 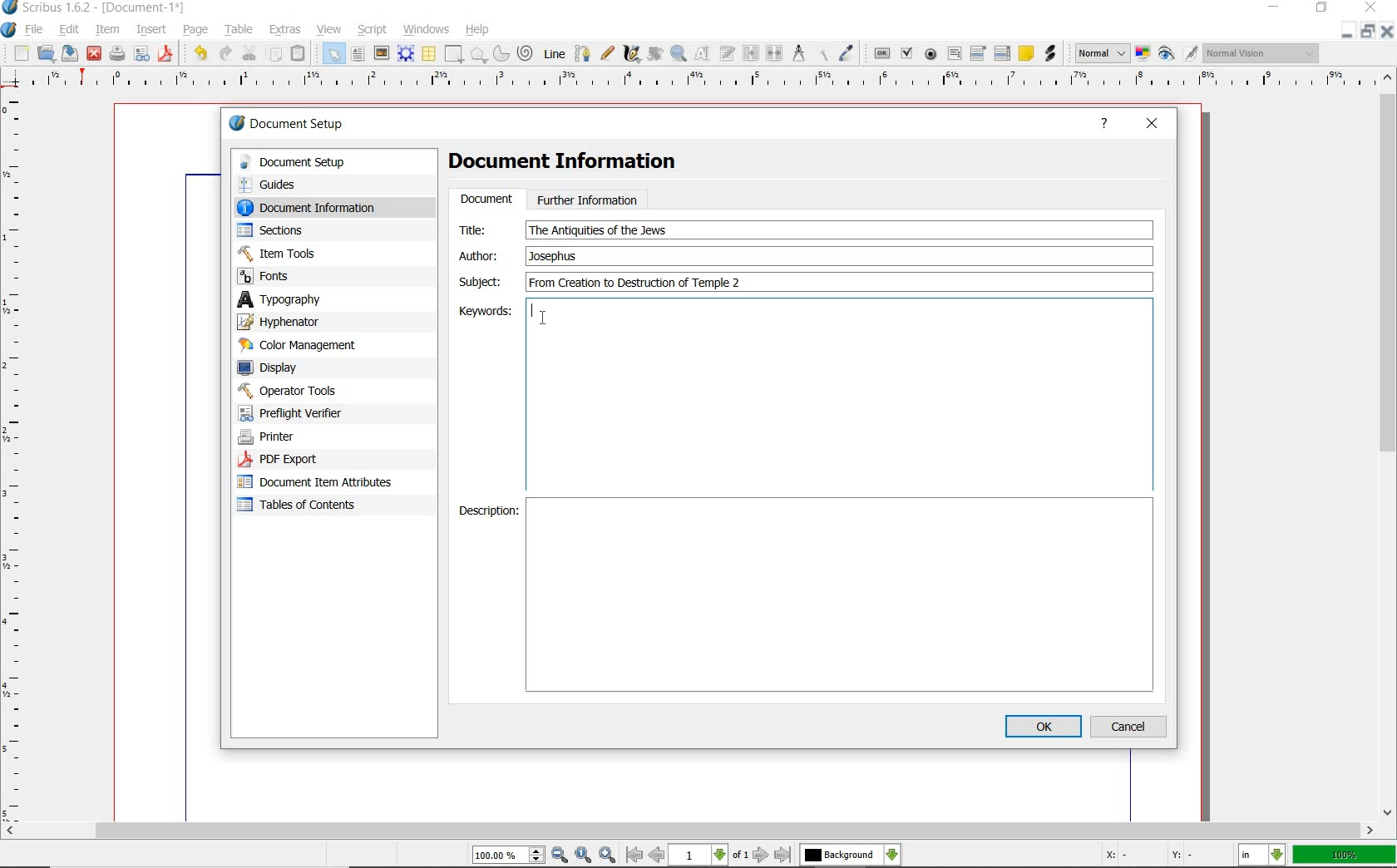 I want to click on item, so click(x=108, y=31).